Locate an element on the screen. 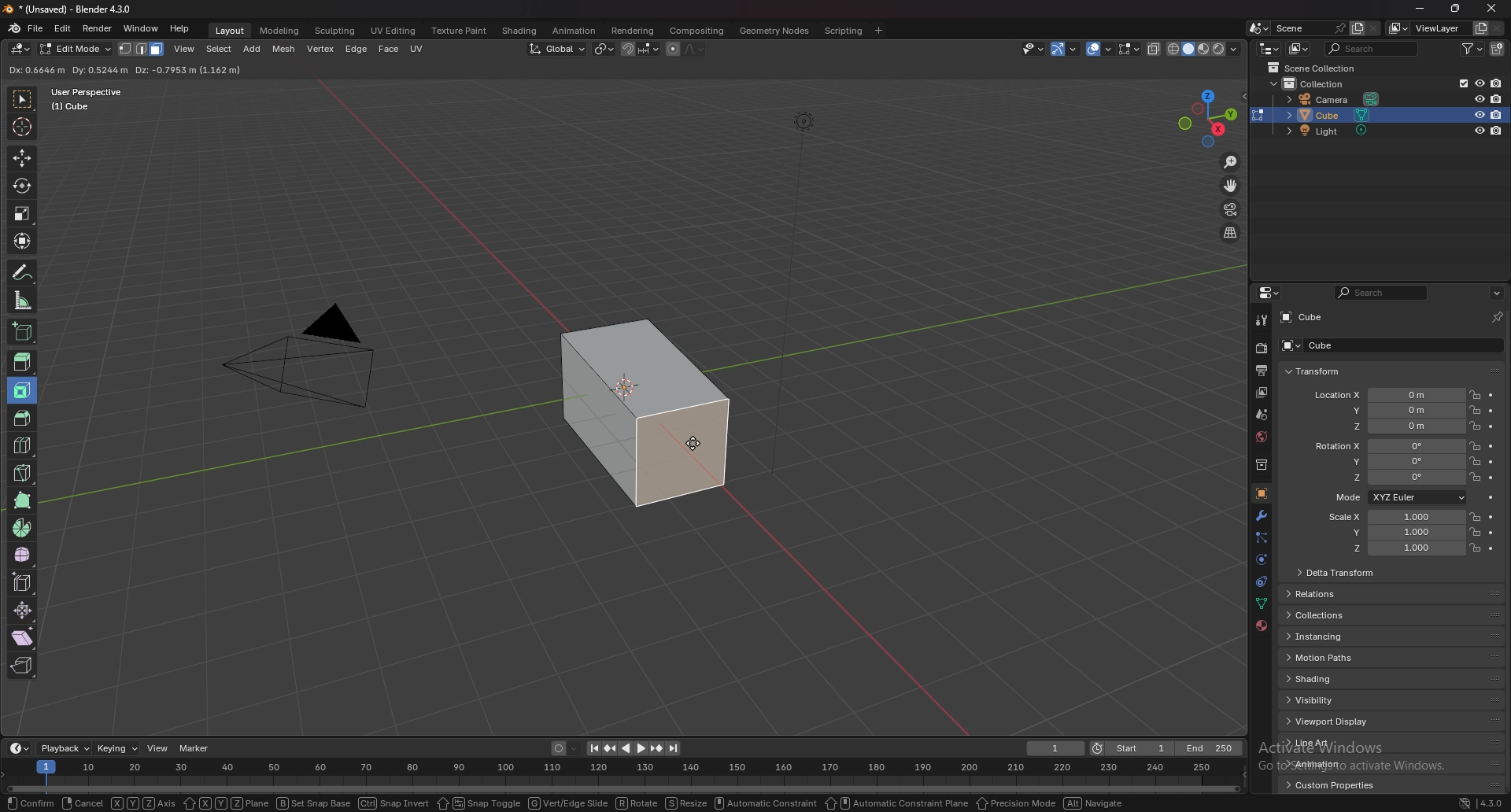 The width and height of the screenshot is (1511, 812). browse scene is located at coordinates (1258, 28).